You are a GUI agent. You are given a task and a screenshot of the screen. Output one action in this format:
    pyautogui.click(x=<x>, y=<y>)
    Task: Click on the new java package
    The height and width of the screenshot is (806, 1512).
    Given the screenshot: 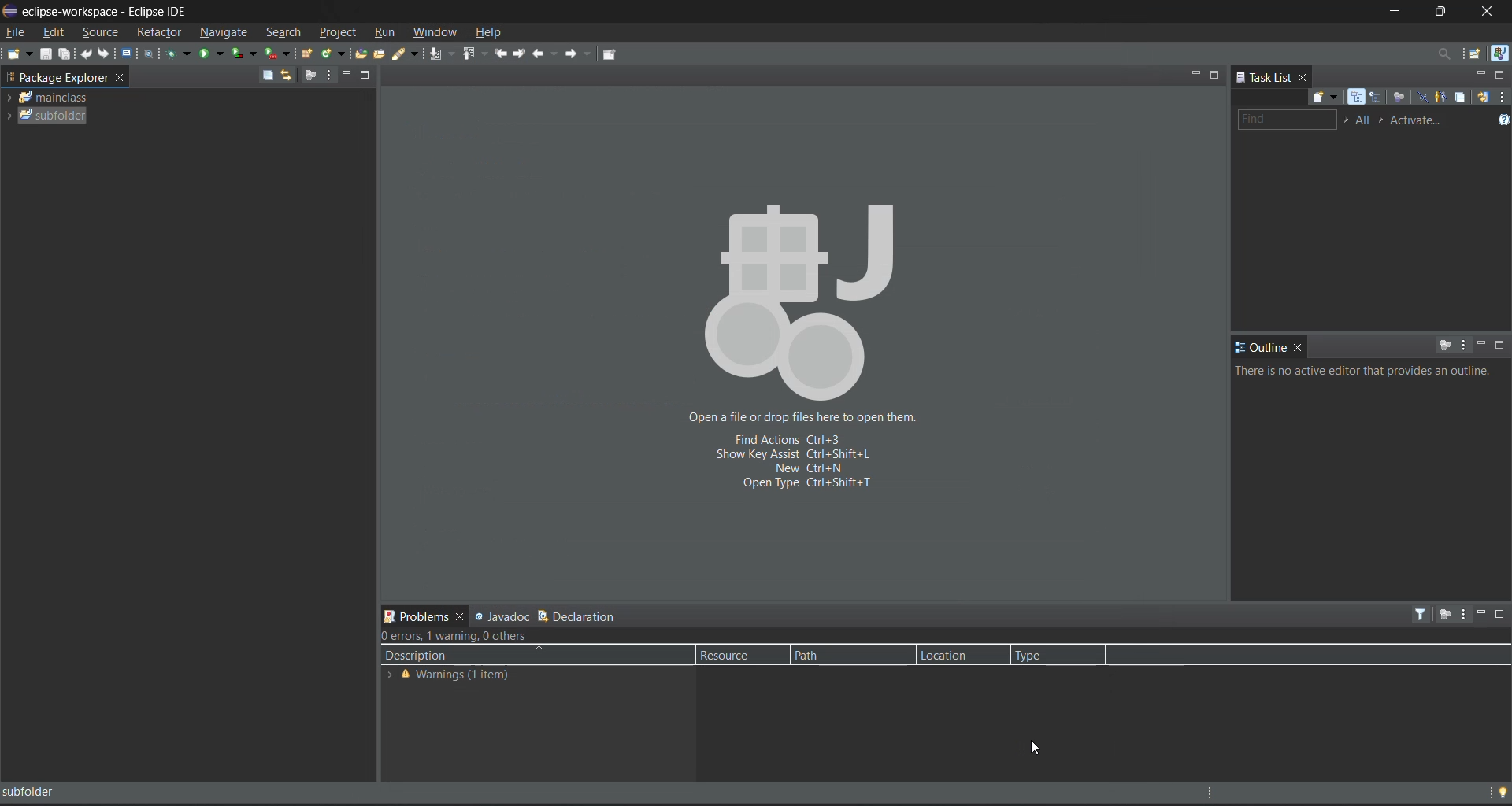 What is the action you would take?
    pyautogui.click(x=308, y=54)
    